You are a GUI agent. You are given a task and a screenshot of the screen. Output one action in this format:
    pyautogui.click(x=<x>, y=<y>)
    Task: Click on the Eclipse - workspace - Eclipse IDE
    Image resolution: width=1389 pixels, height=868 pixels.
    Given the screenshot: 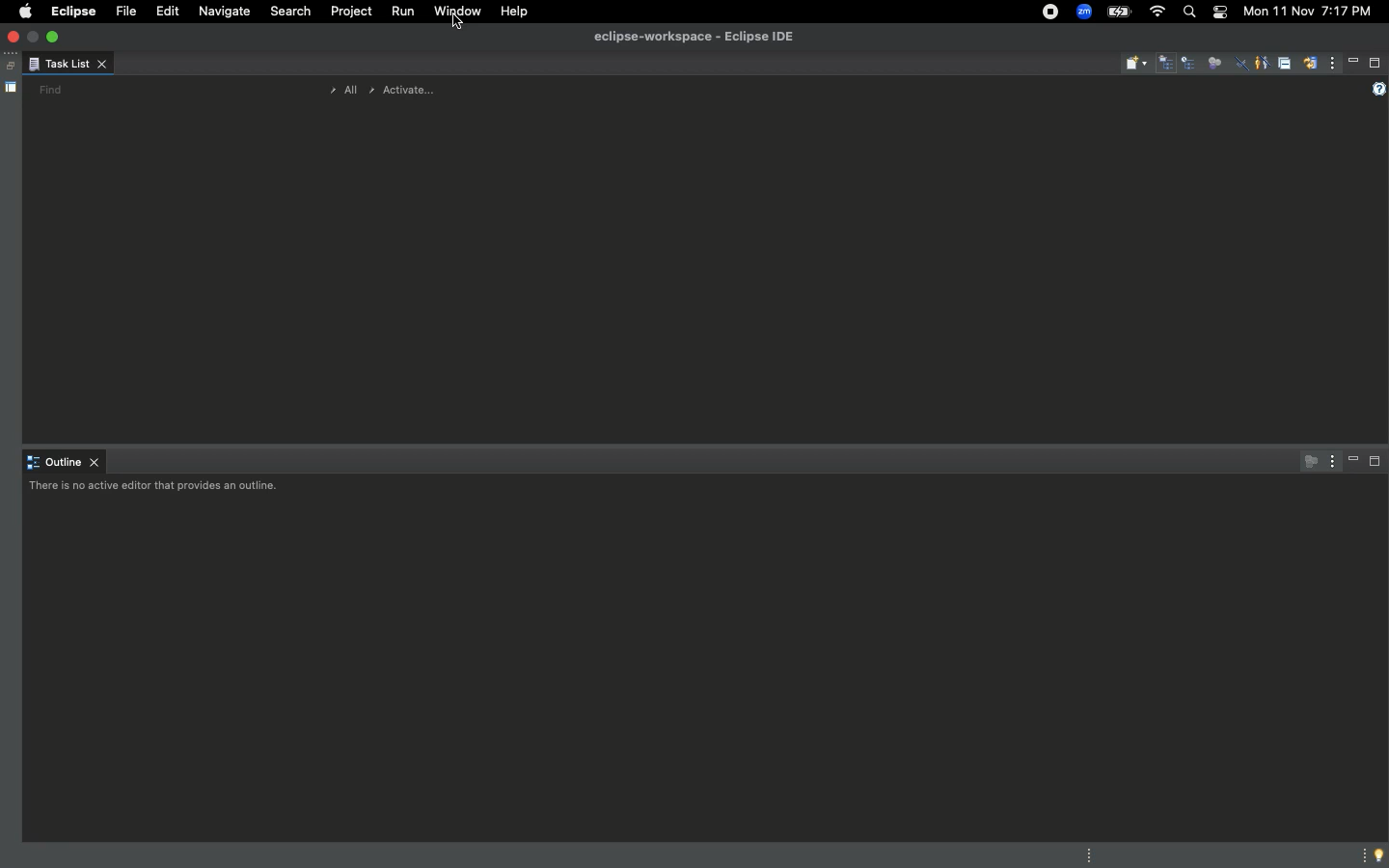 What is the action you would take?
    pyautogui.click(x=694, y=38)
    